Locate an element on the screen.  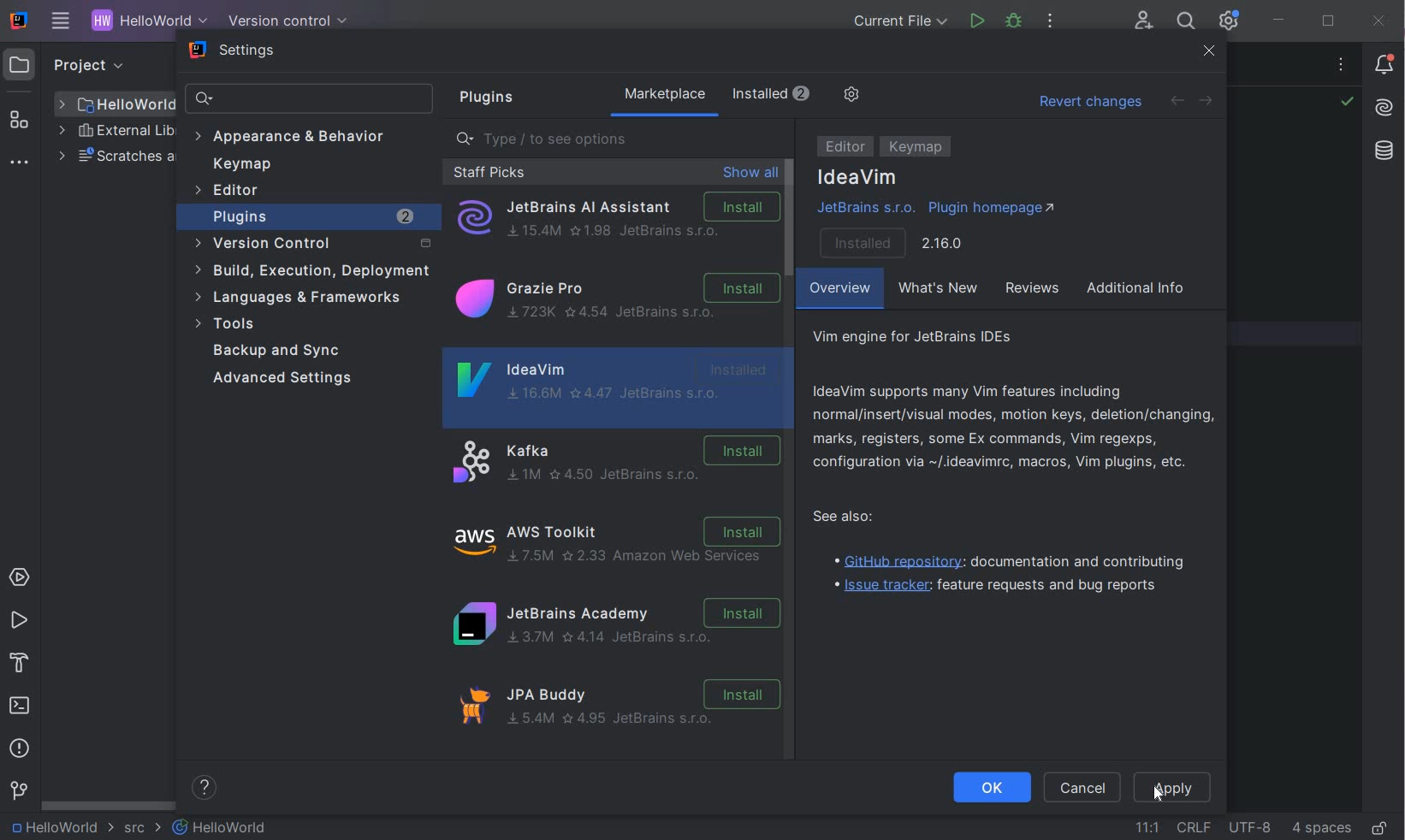
TERMINAL is located at coordinates (21, 707).